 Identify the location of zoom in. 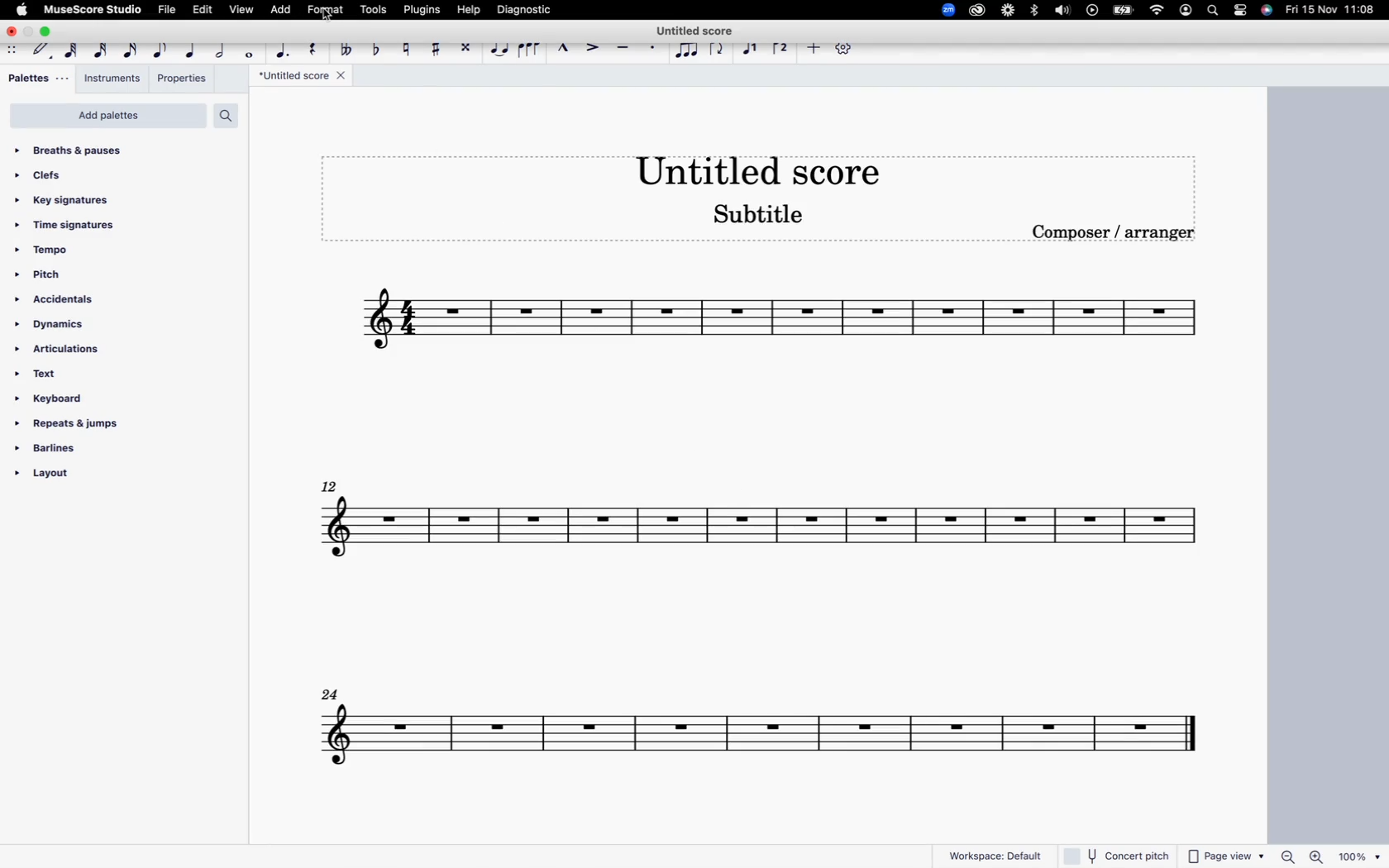
(1320, 855).